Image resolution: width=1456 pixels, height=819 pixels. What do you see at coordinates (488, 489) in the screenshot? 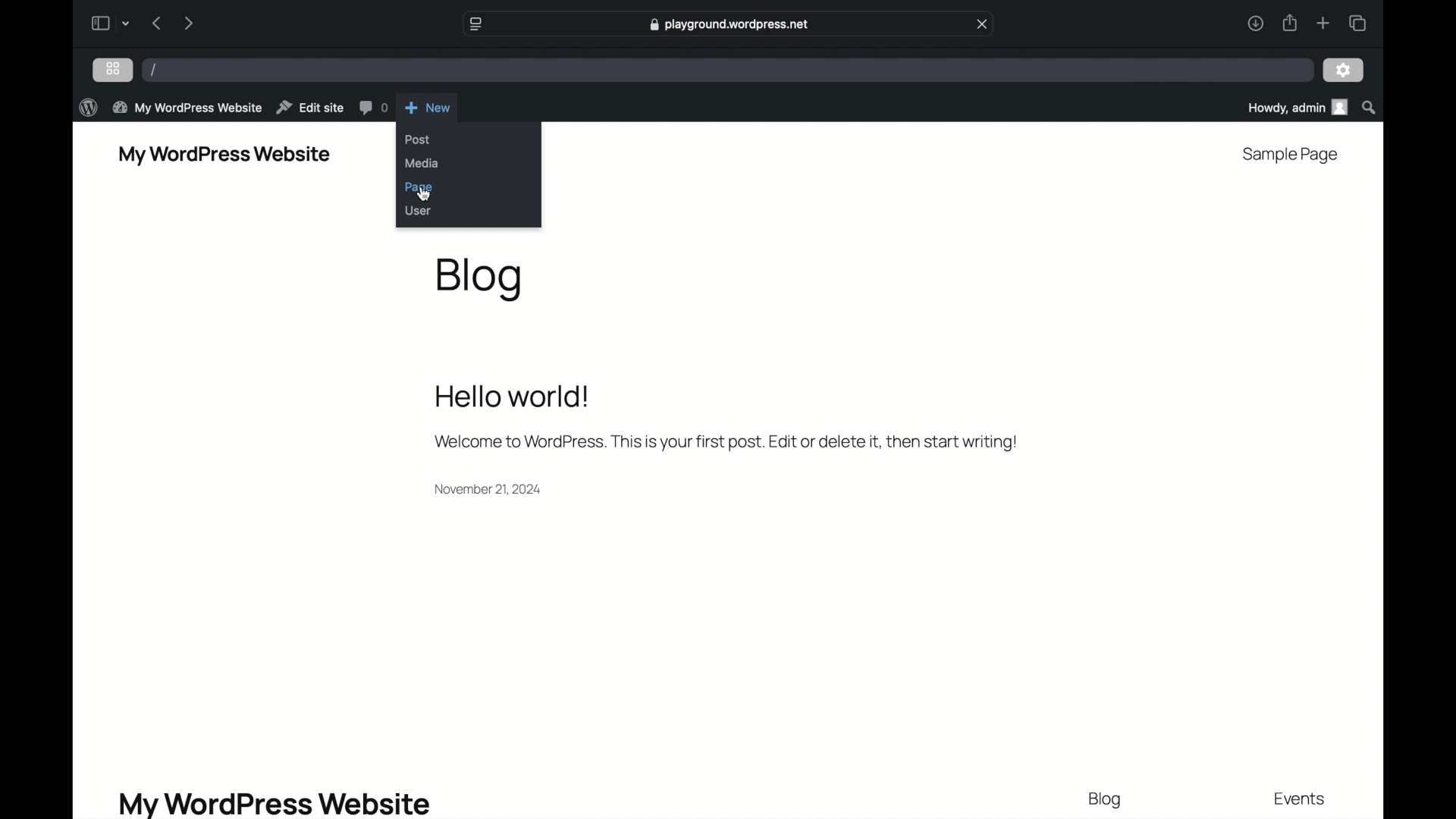
I see `date` at bounding box center [488, 489].